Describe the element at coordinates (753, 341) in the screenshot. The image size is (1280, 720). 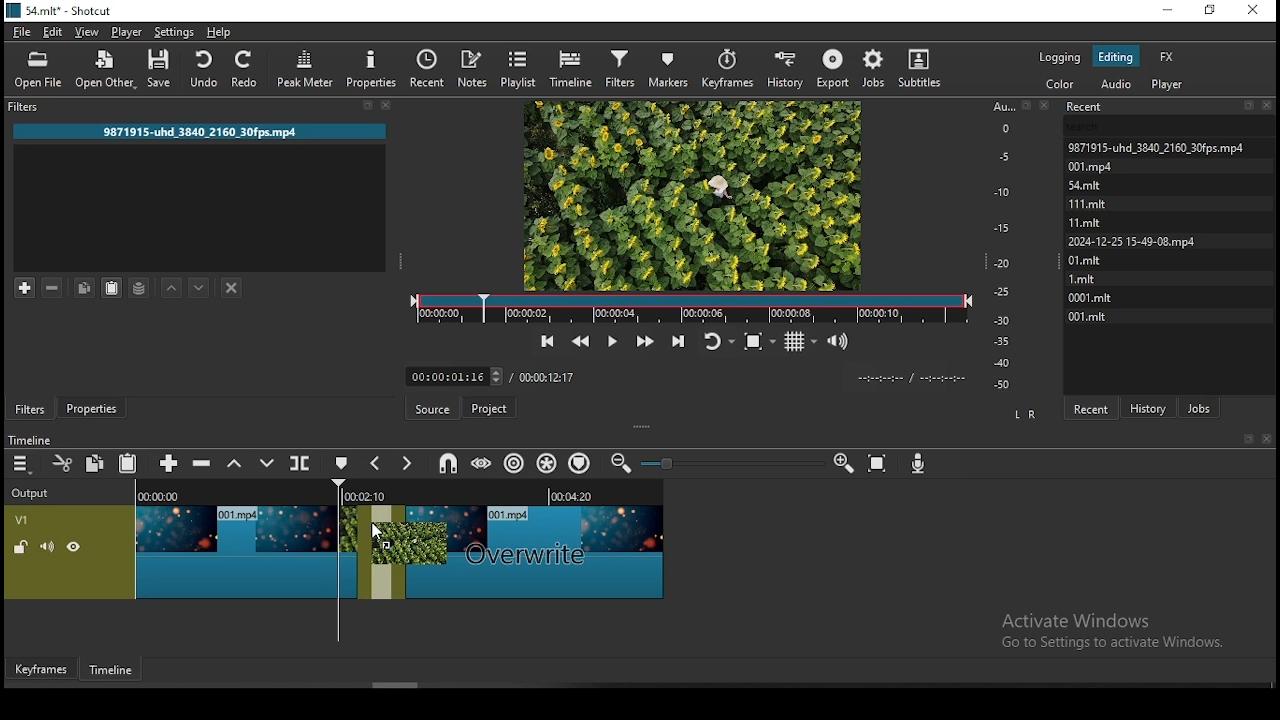
I see `toggle zoo` at that location.